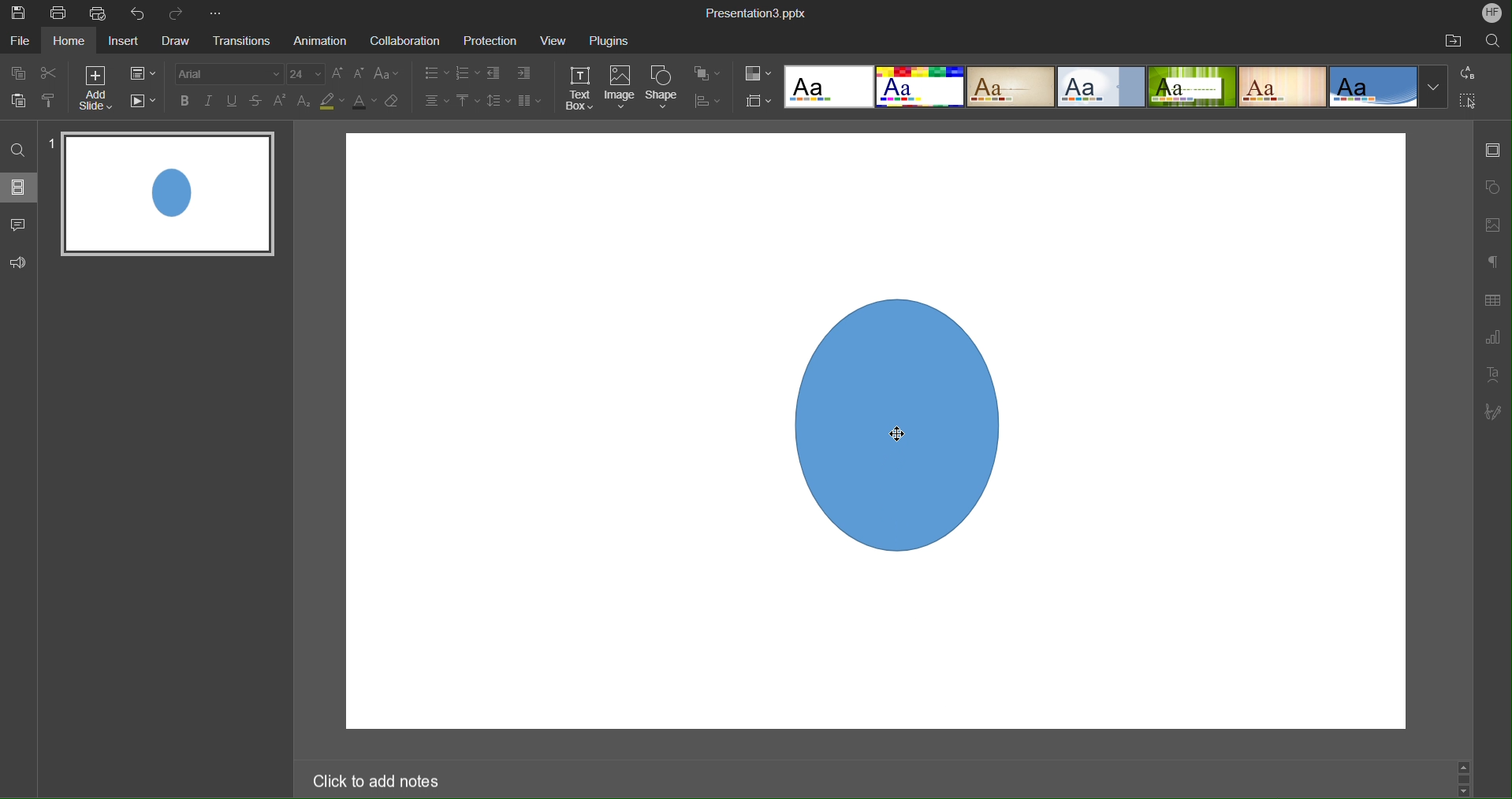 This screenshot has height=799, width=1512. What do you see at coordinates (433, 102) in the screenshot?
I see `Alignment` at bounding box center [433, 102].